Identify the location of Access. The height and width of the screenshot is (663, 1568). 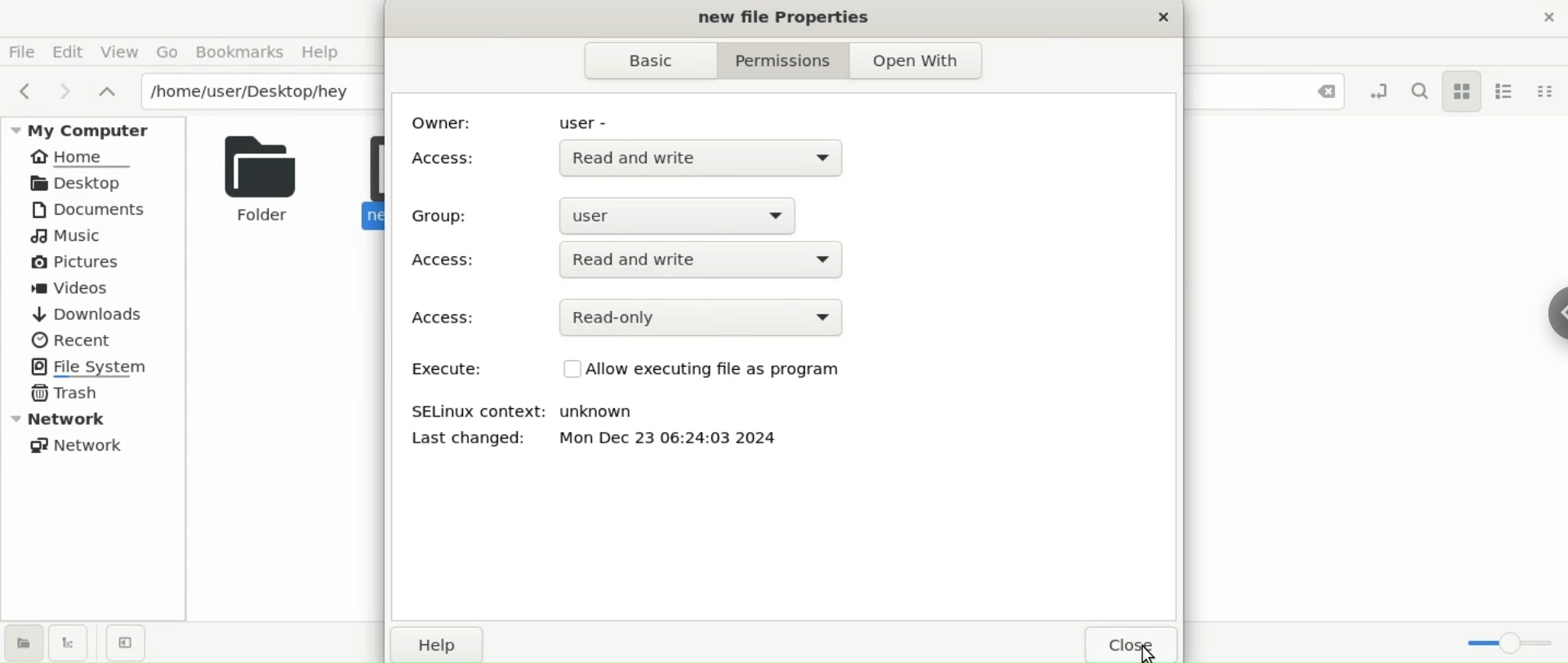
(444, 318).